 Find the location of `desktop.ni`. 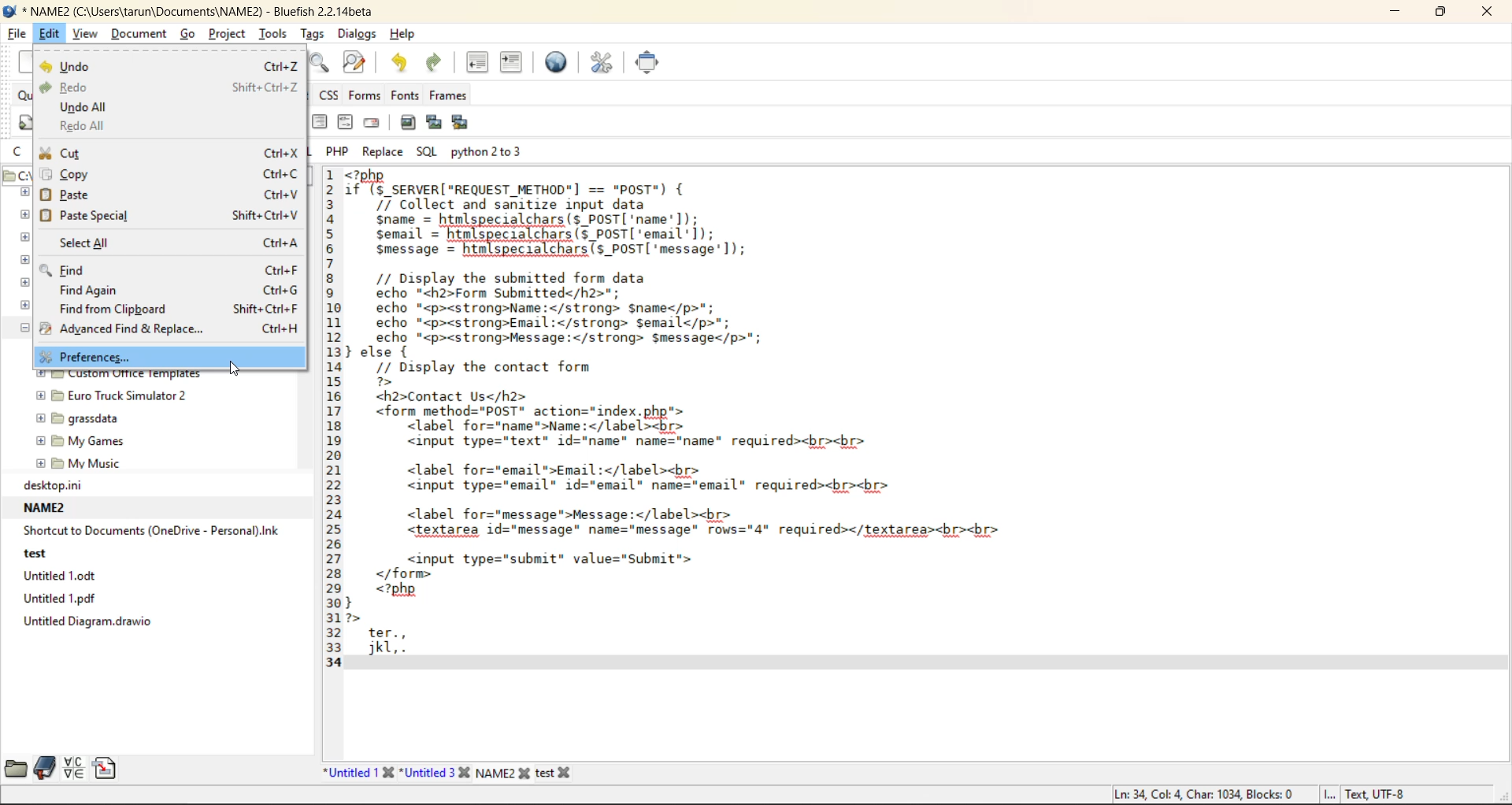

desktop.ni is located at coordinates (48, 487).